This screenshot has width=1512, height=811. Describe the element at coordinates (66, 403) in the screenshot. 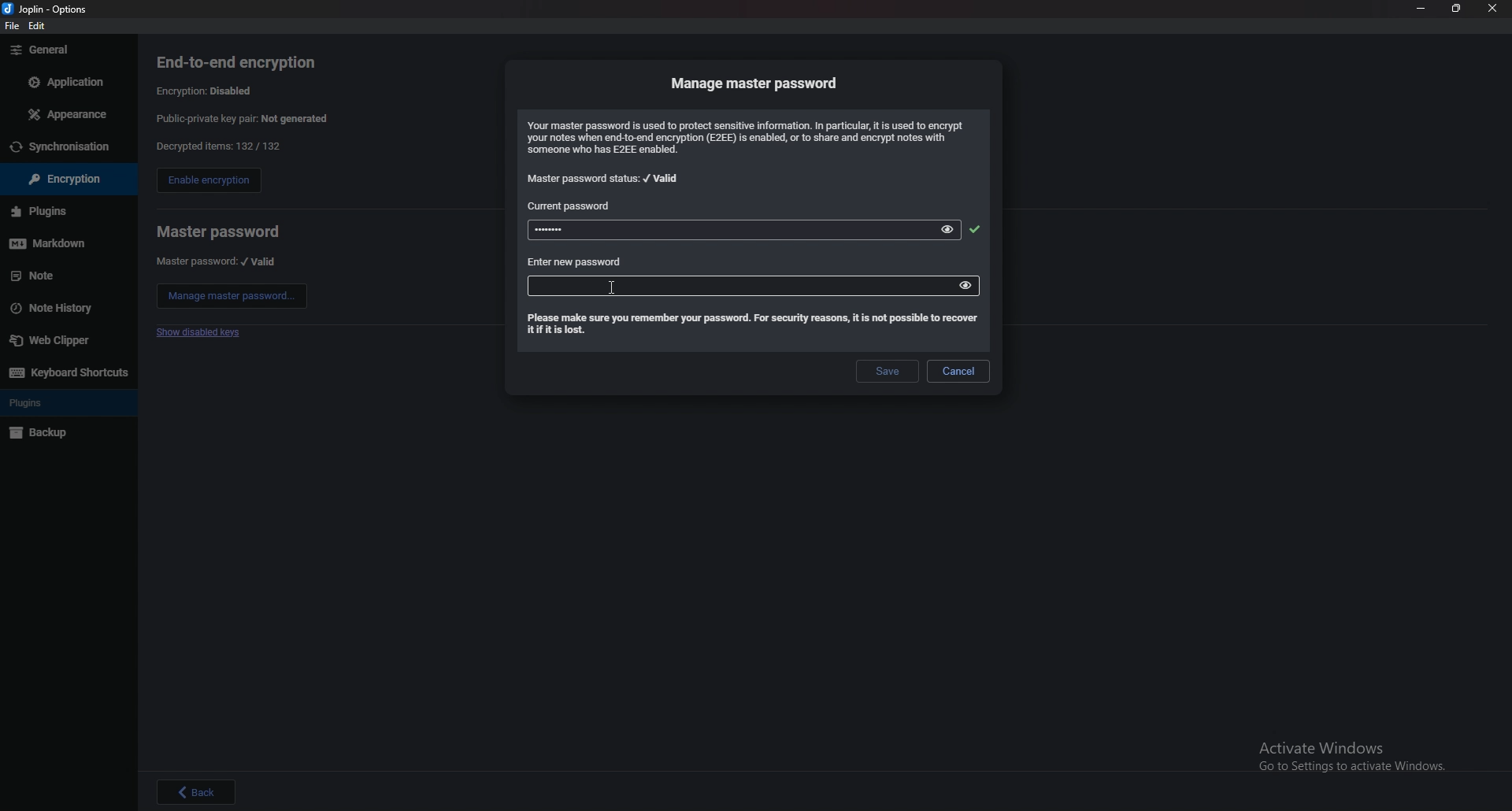

I see `plugins` at that location.